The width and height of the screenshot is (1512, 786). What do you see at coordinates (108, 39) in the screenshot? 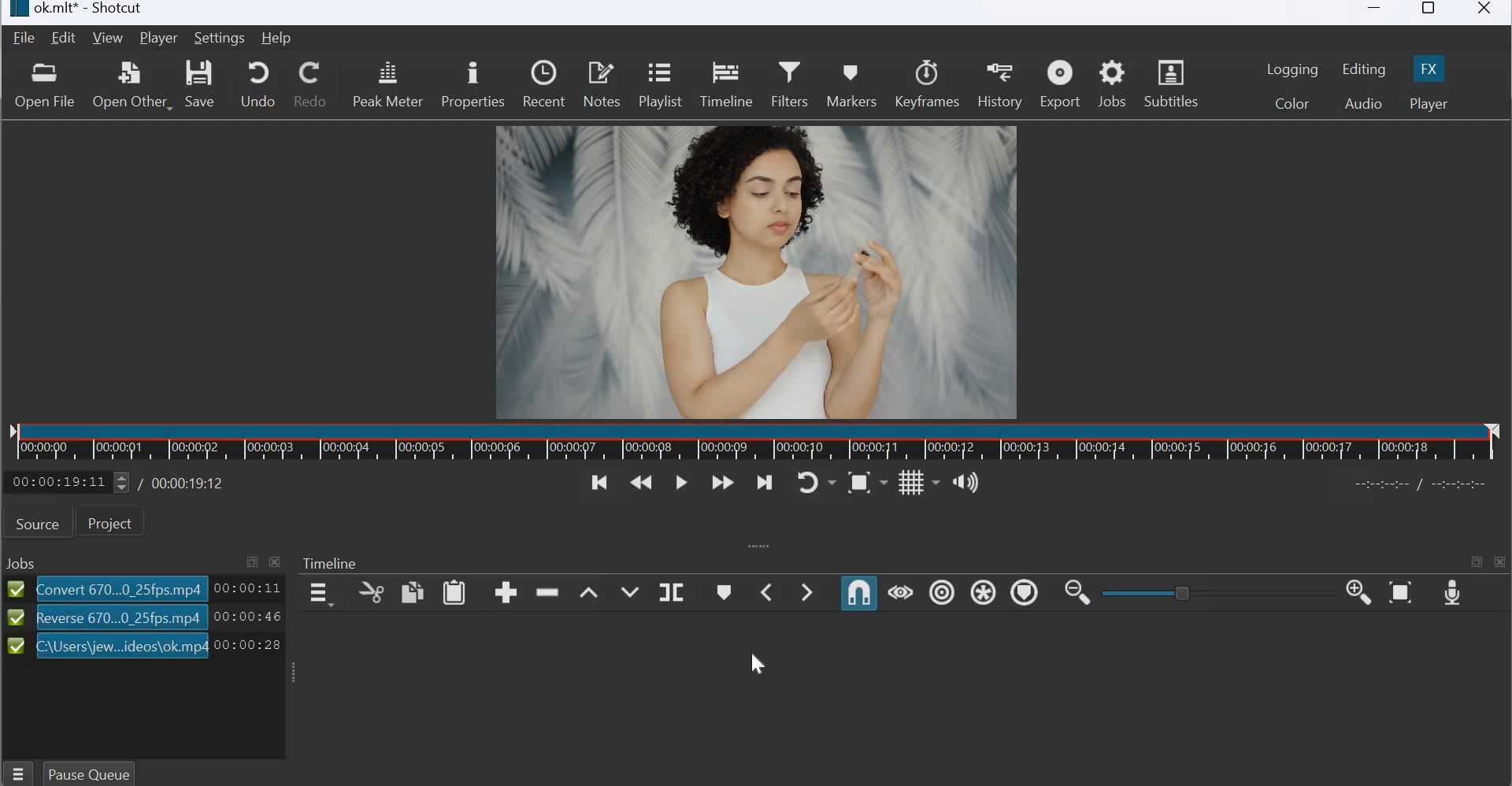
I see `View` at bounding box center [108, 39].